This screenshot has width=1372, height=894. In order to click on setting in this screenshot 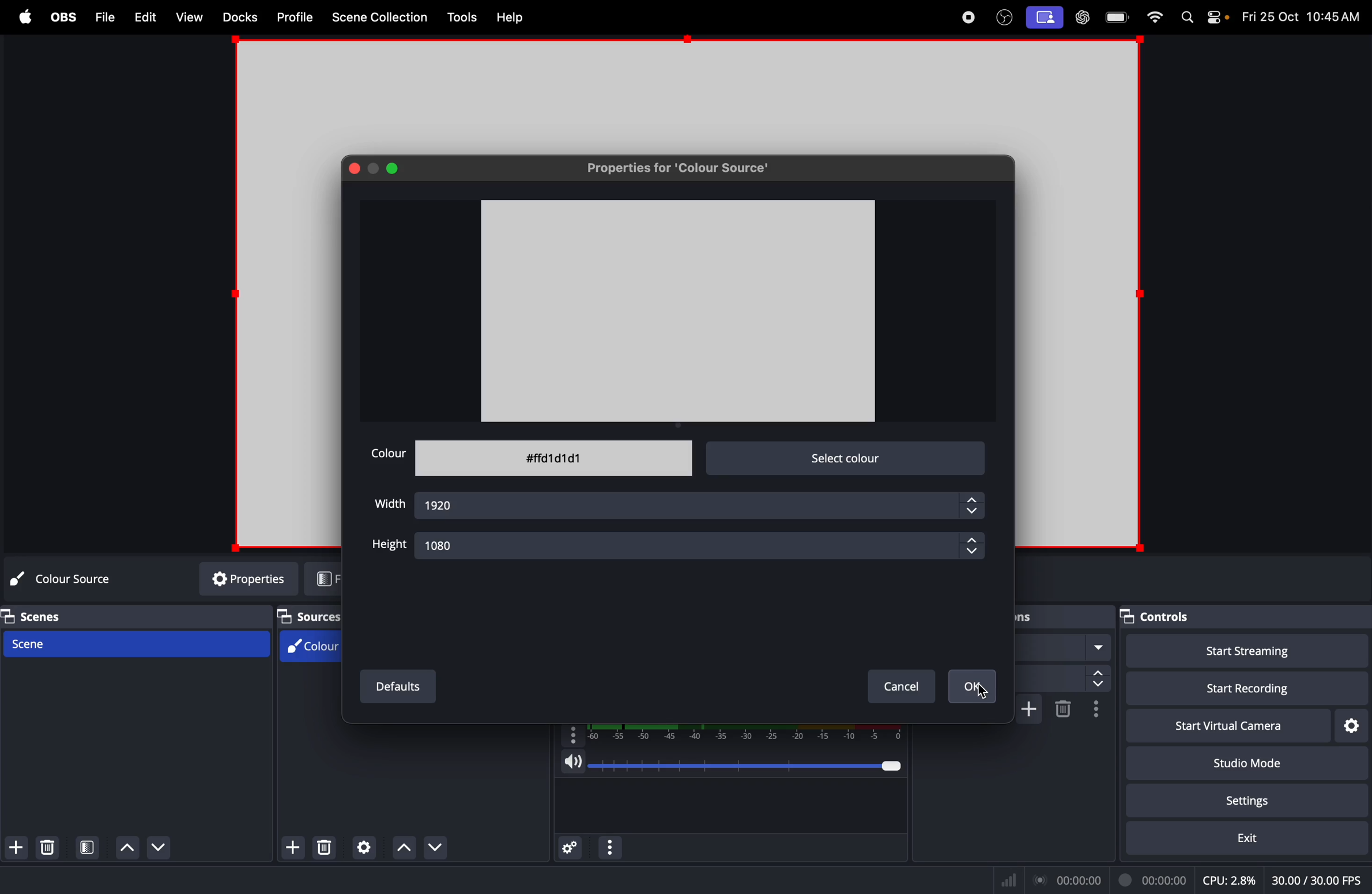, I will do `click(1259, 798)`.